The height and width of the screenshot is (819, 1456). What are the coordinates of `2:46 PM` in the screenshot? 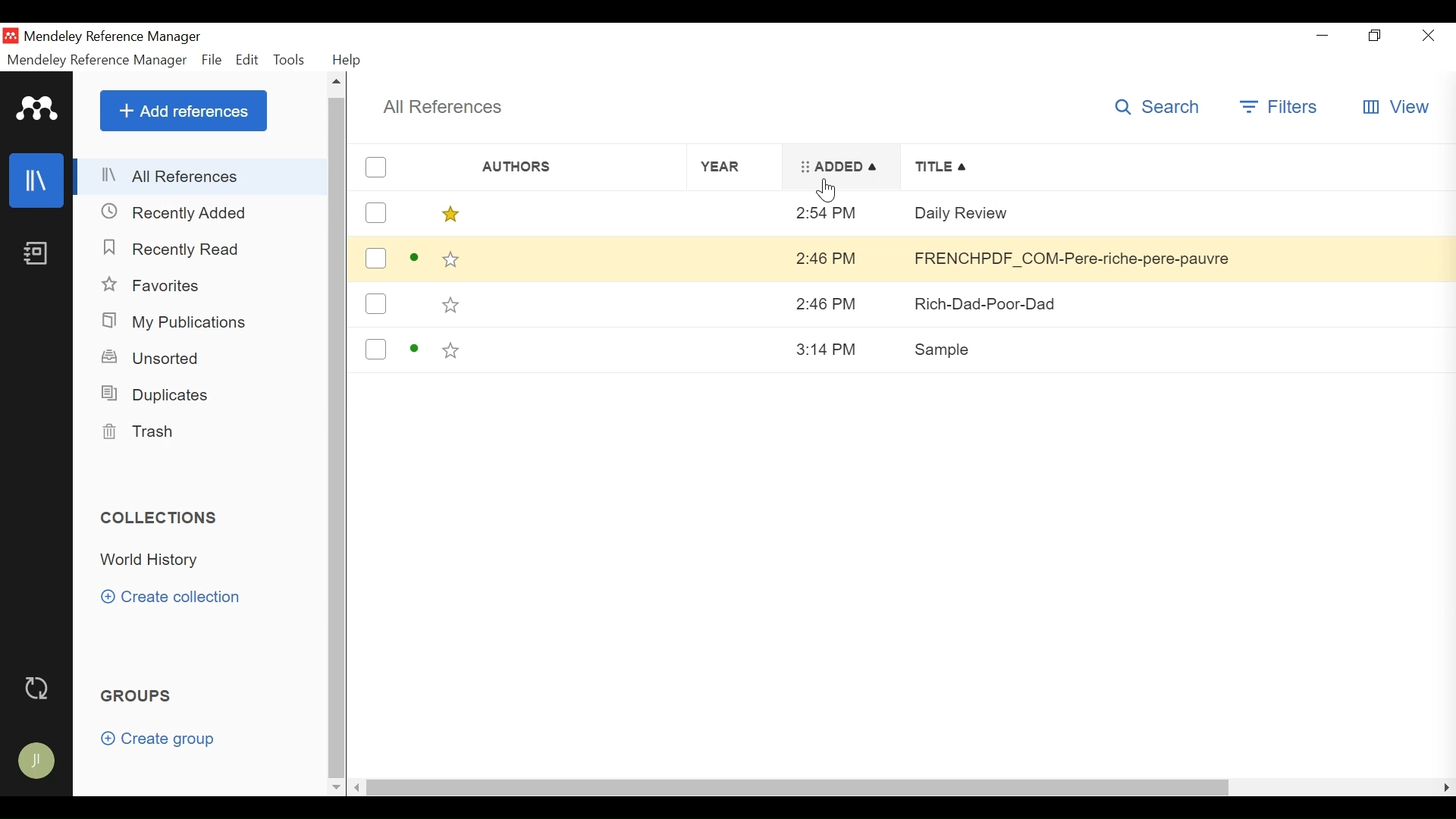 It's located at (840, 303).